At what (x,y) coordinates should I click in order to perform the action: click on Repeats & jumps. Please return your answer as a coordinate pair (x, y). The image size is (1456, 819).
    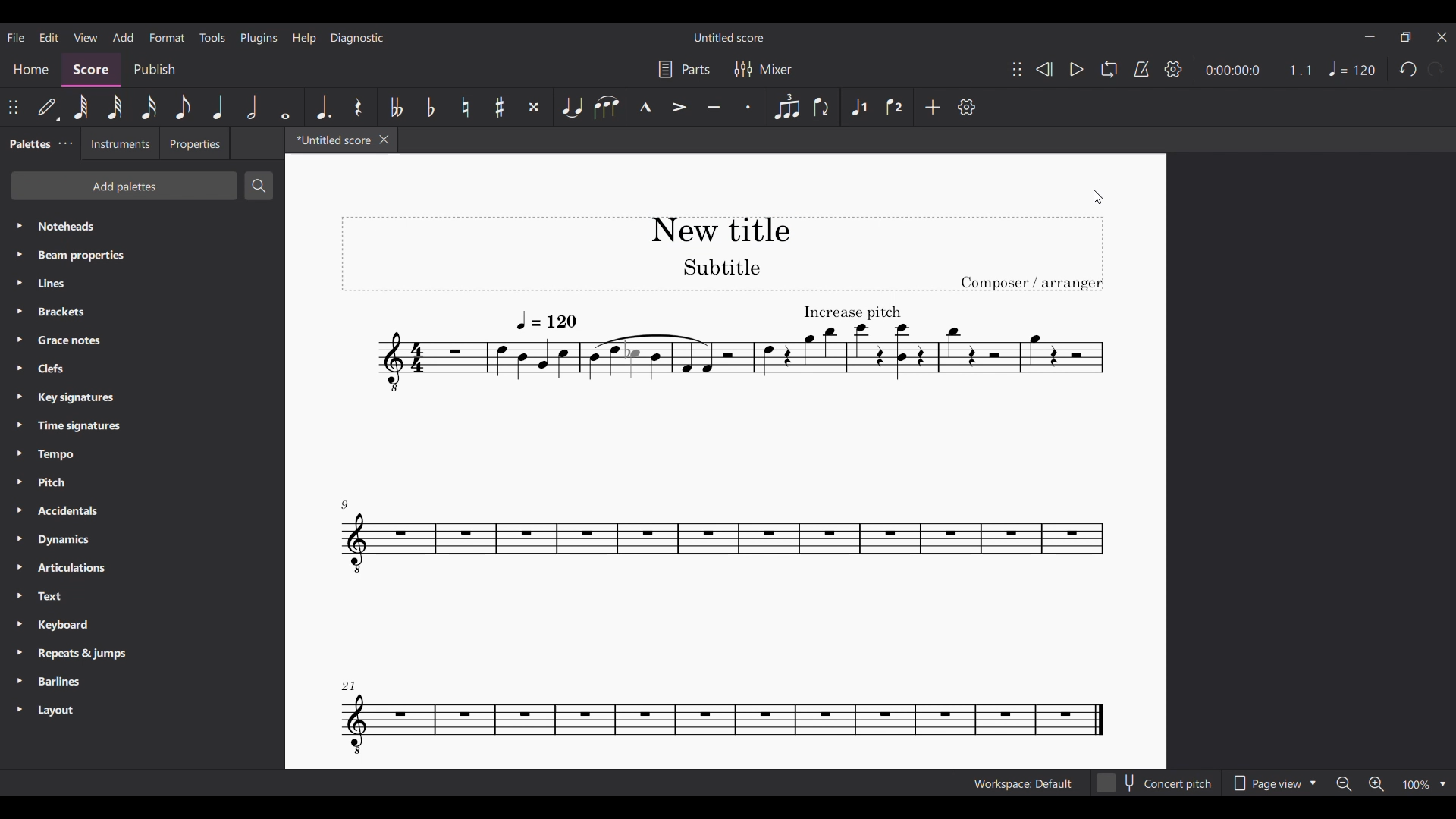
    Looking at the image, I should click on (143, 654).